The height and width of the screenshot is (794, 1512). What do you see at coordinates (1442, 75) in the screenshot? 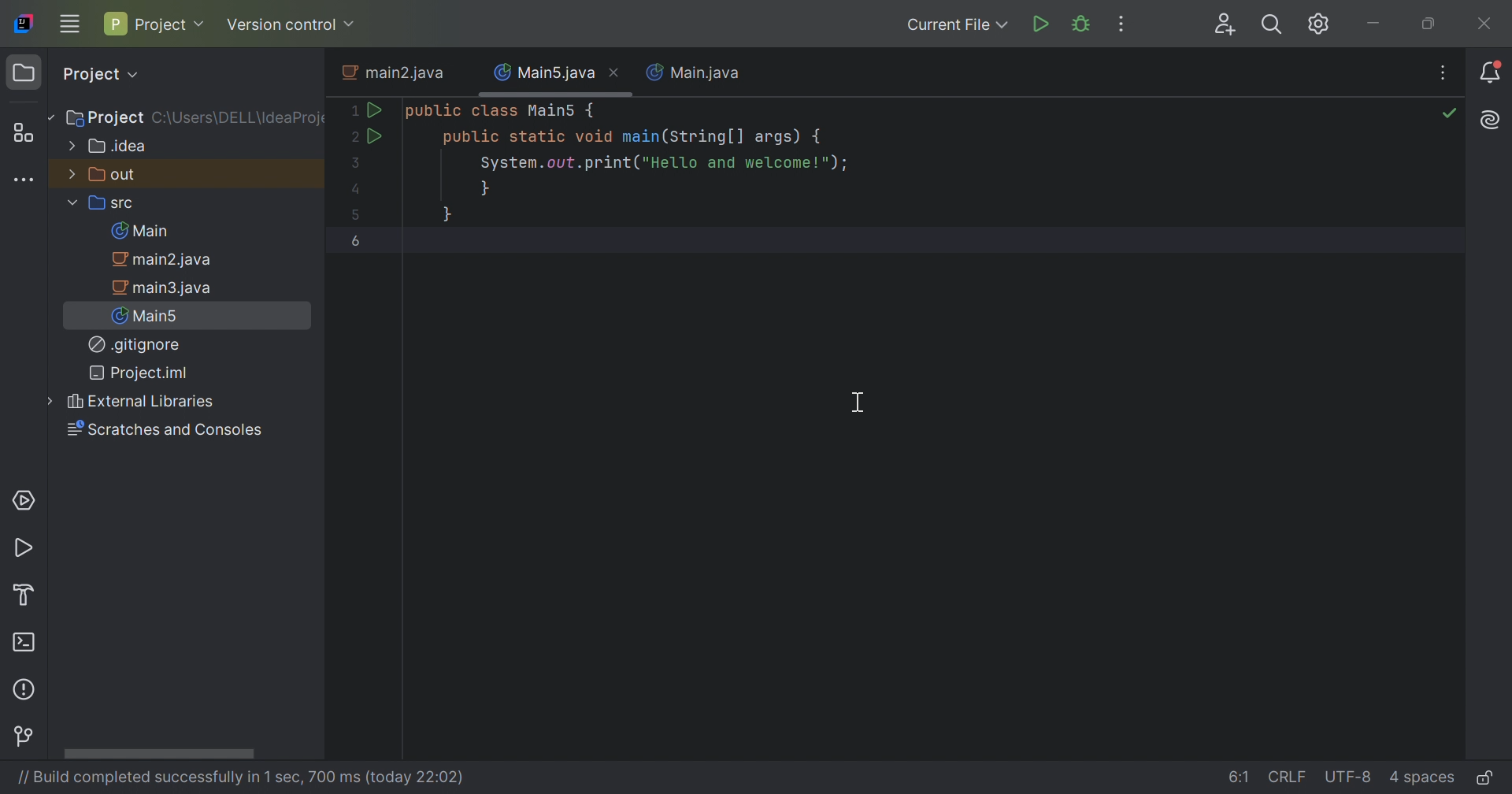
I see `Recent Files, Tab Actions, and More` at bounding box center [1442, 75].